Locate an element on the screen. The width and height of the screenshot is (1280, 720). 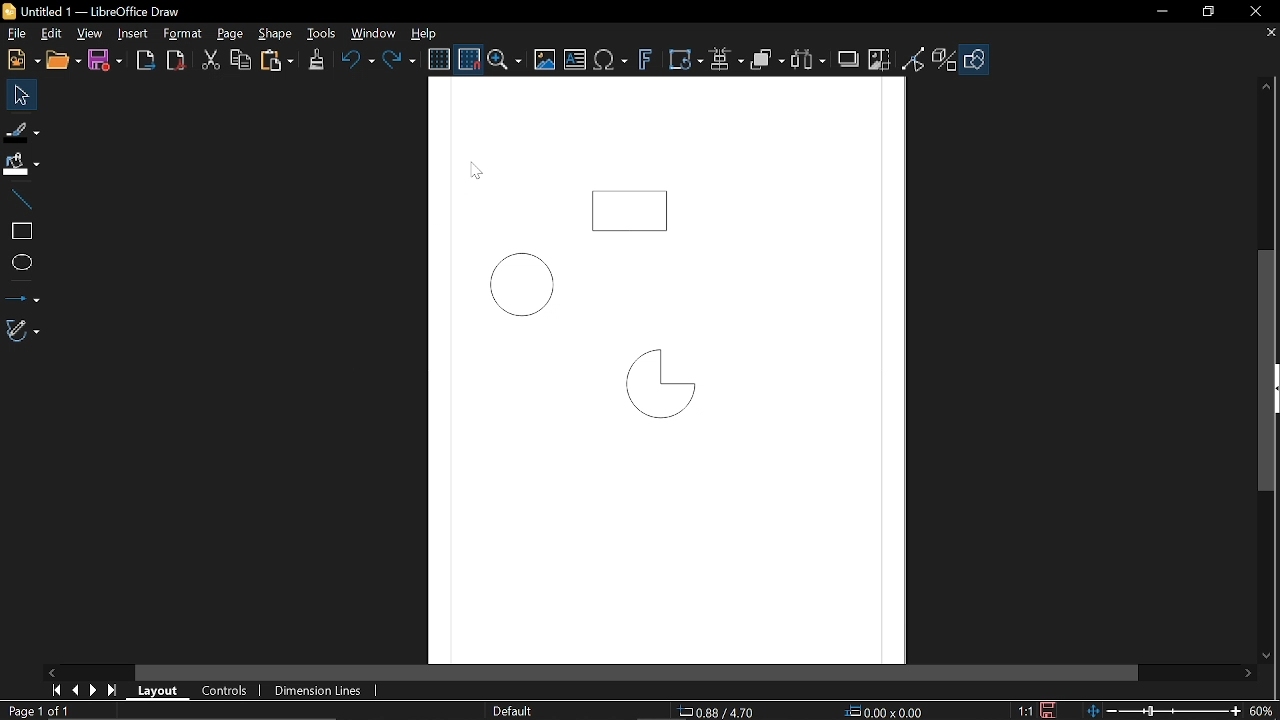
60% (Current zoom) is located at coordinates (1261, 710).